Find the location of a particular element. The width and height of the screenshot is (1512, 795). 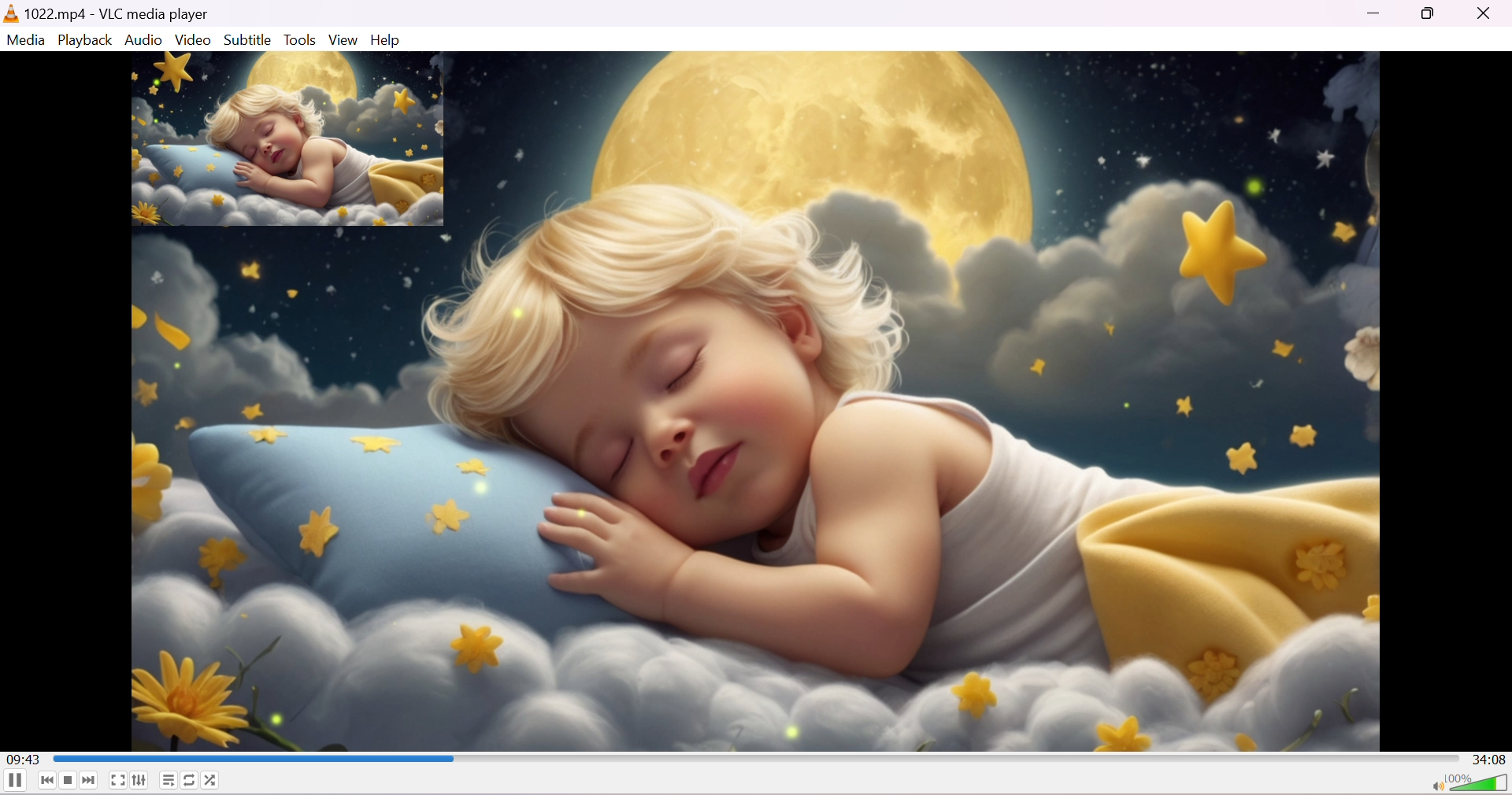

34:08 is located at coordinates (1489, 758).